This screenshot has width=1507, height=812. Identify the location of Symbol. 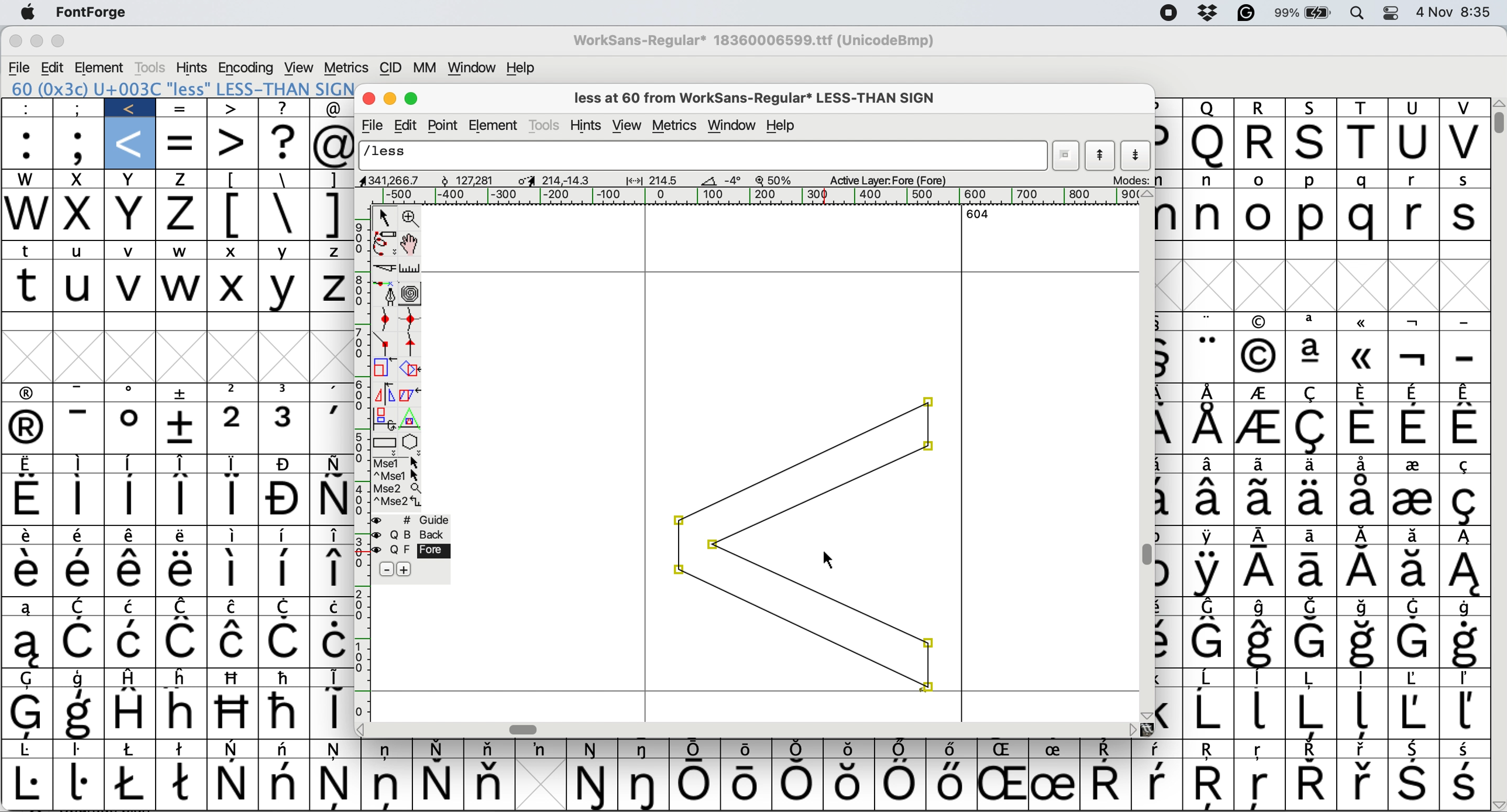
(1467, 464).